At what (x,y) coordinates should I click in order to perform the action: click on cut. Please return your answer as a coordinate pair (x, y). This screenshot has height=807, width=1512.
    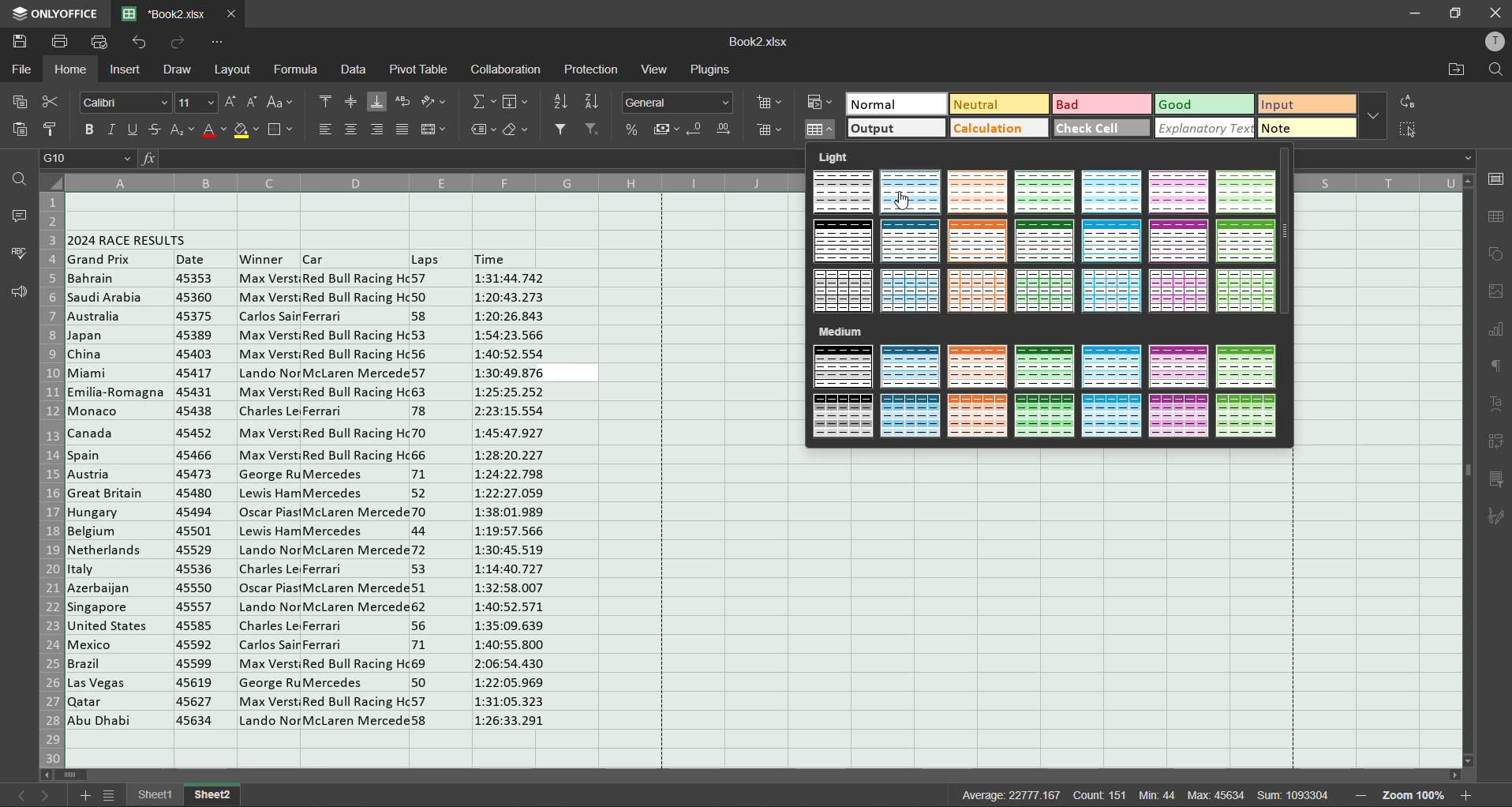
    Looking at the image, I should click on (52, 102).